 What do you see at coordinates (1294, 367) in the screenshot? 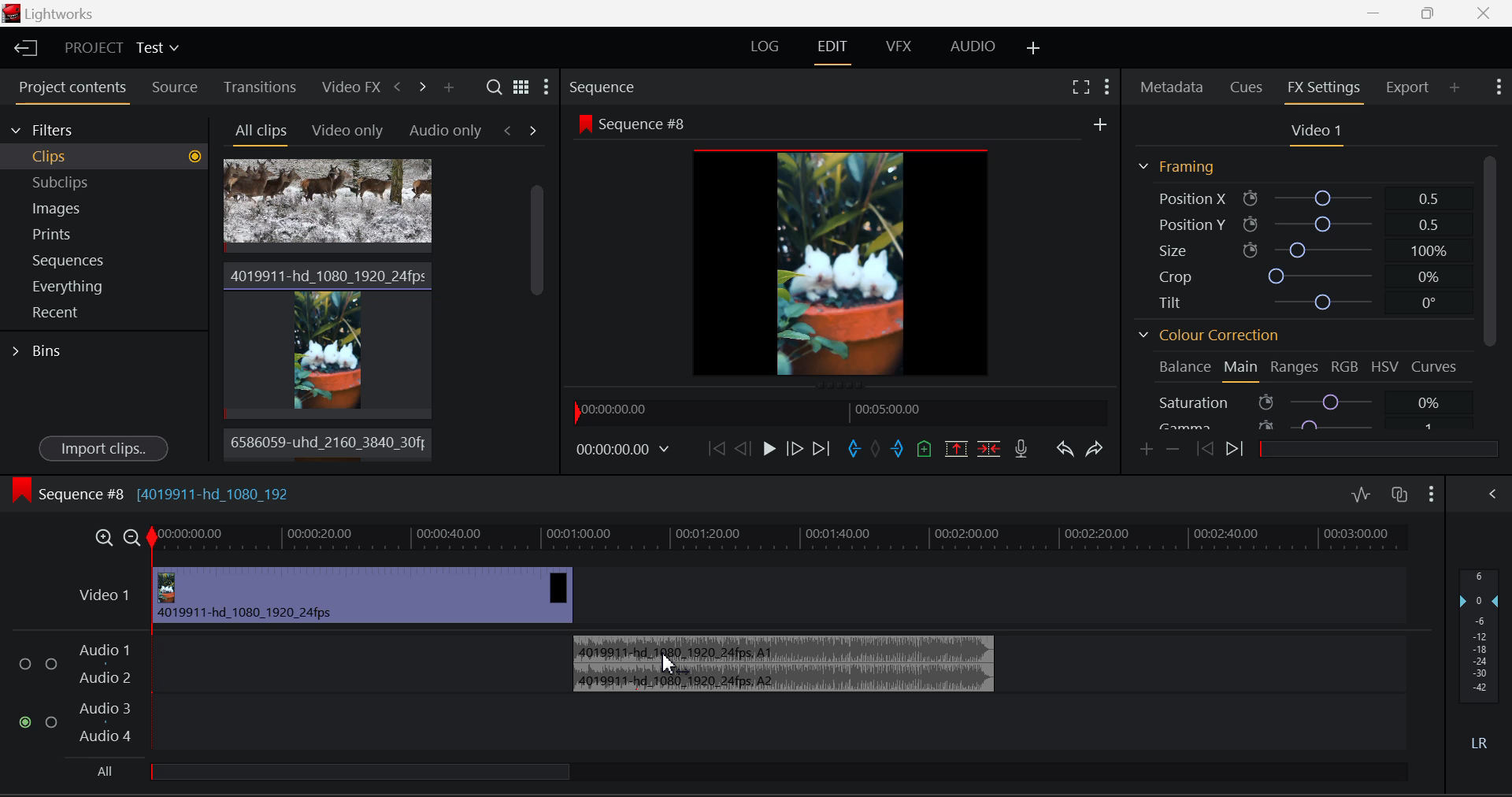
I see `Ranges` at bounding box center [1294, 367].